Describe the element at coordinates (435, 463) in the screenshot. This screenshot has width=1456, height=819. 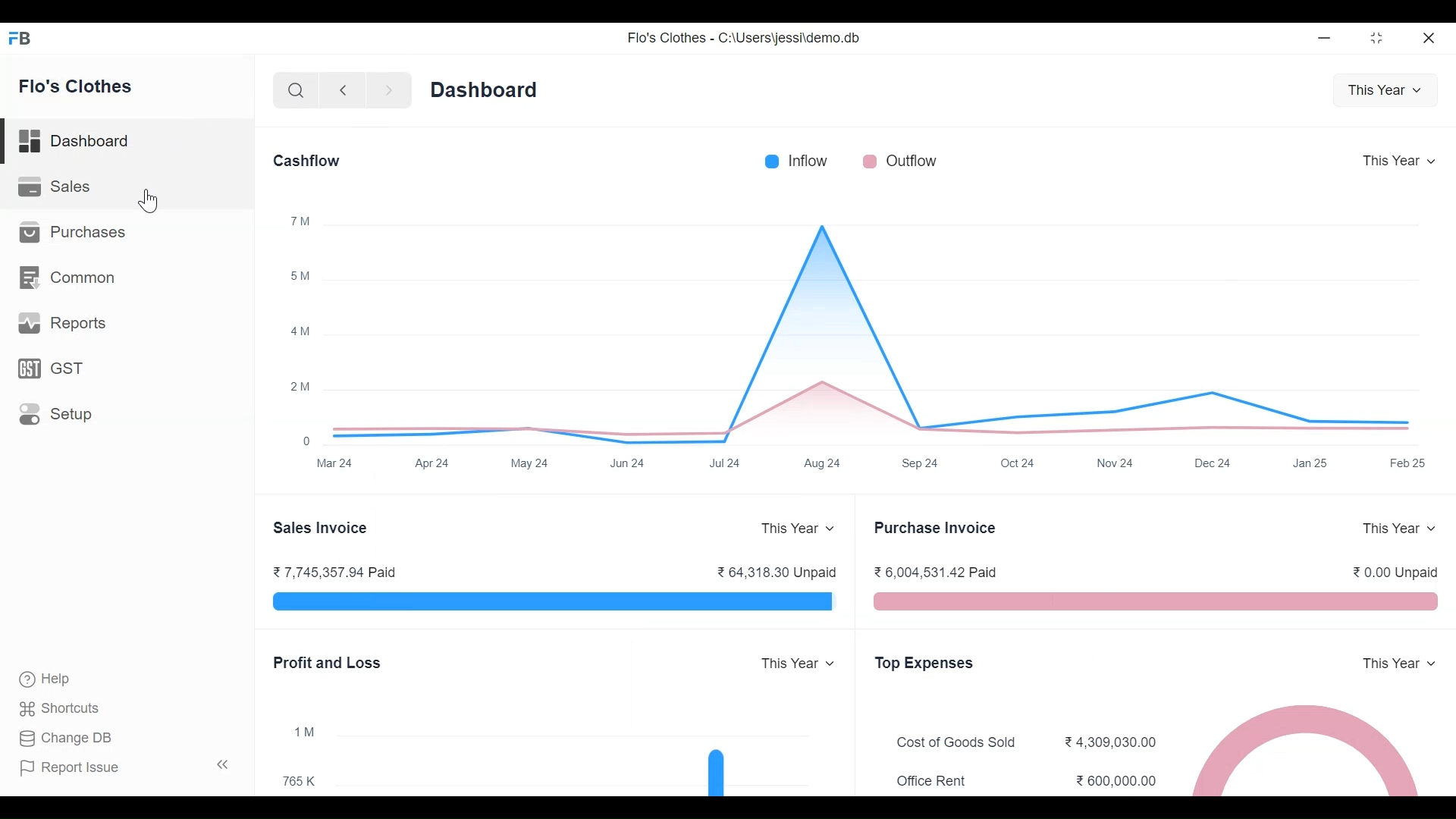
I see `Apr 24` at that location.